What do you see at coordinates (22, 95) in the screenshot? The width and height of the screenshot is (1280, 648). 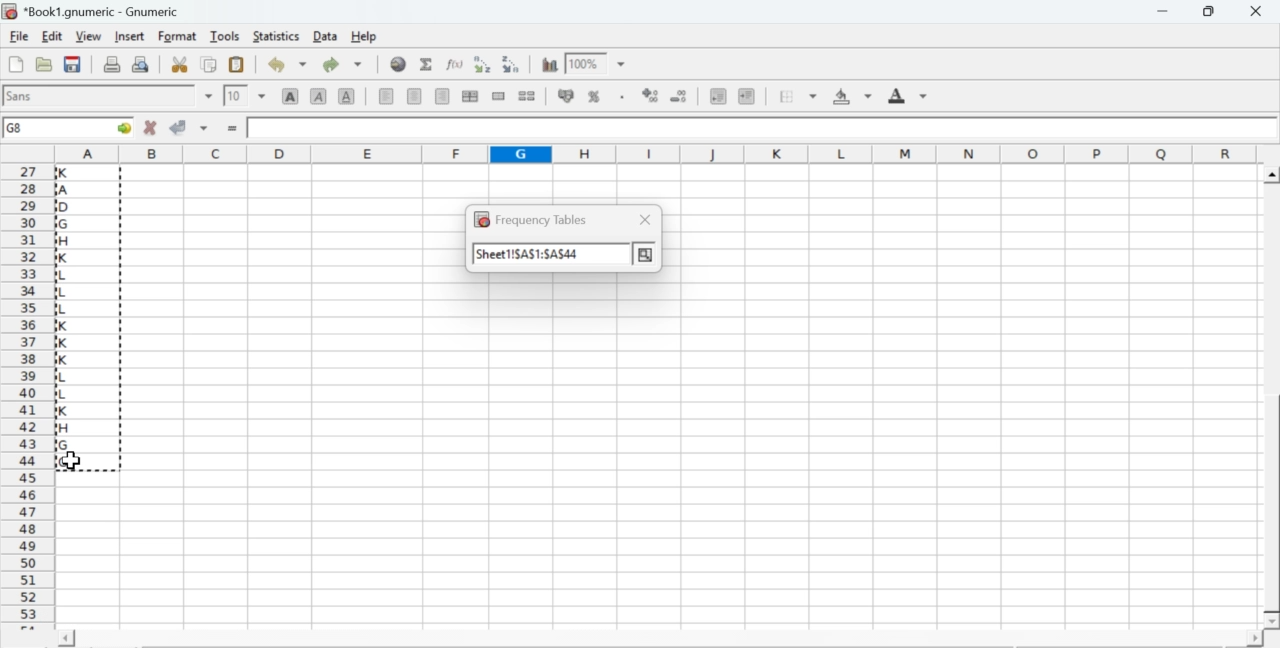 I see `font` at bounding box center [22, 95].